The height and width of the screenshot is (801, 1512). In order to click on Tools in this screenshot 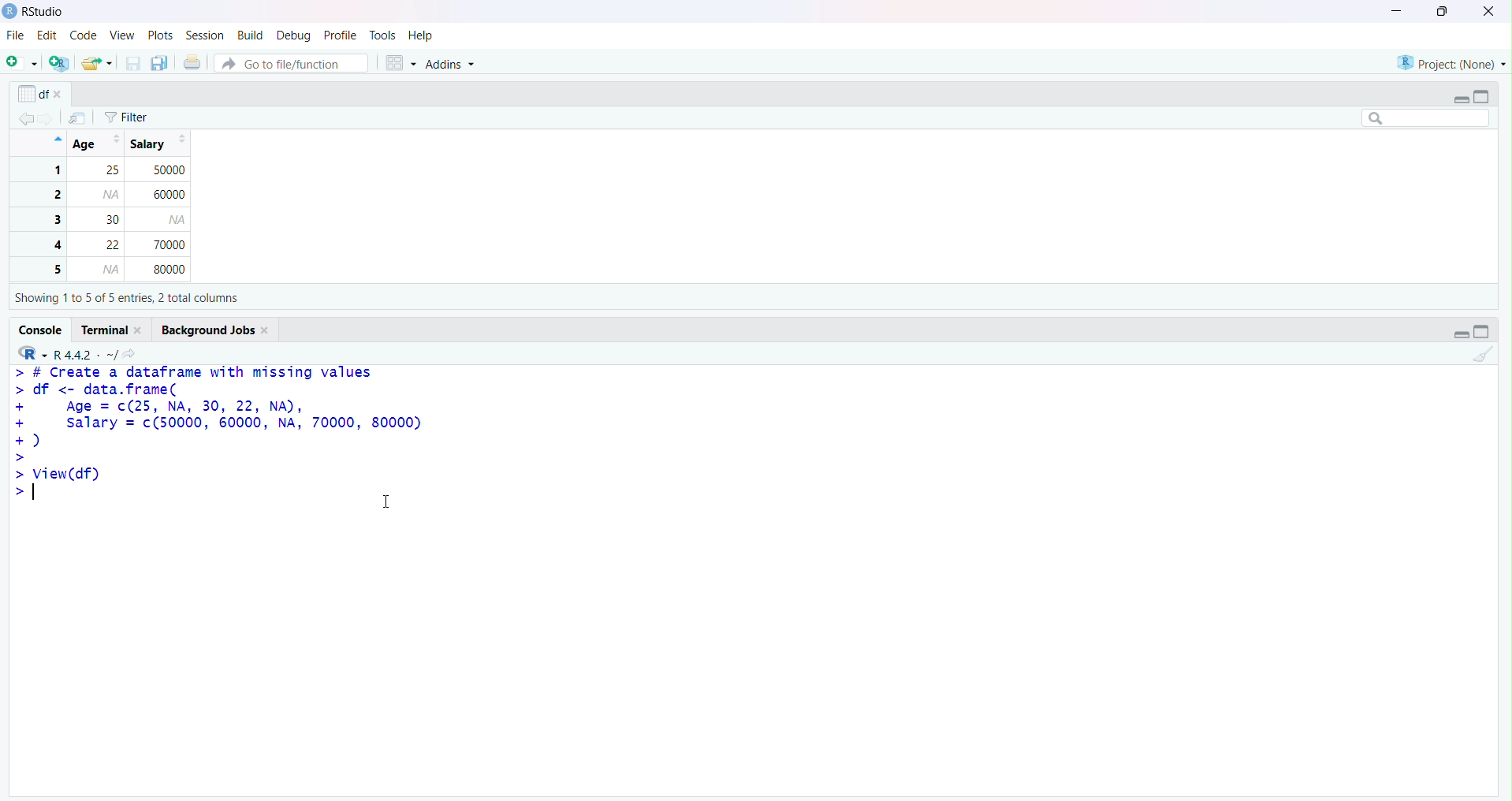, I will do `click(384, 35)`.